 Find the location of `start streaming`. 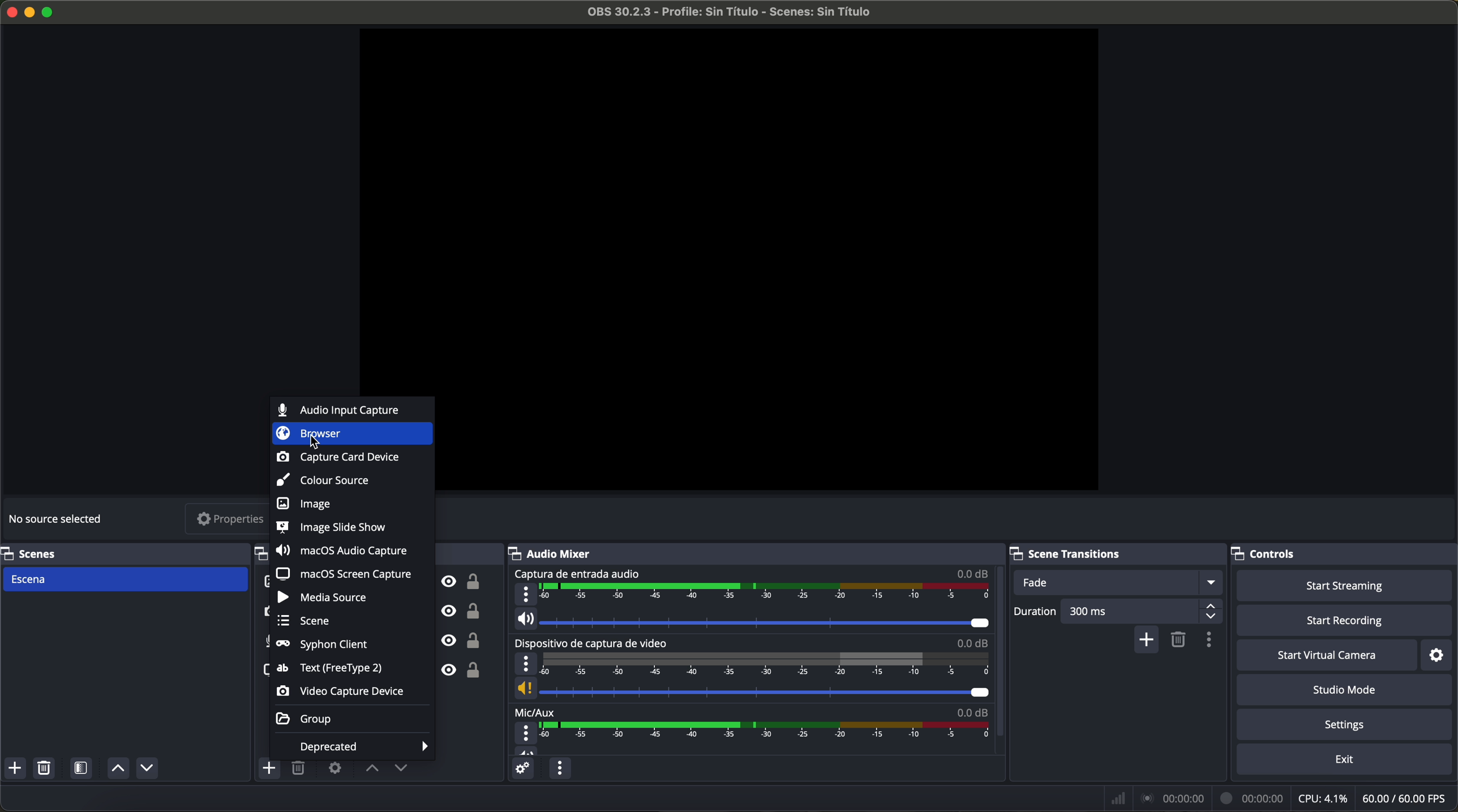

start streaming is located at coordinates (1345, 585).